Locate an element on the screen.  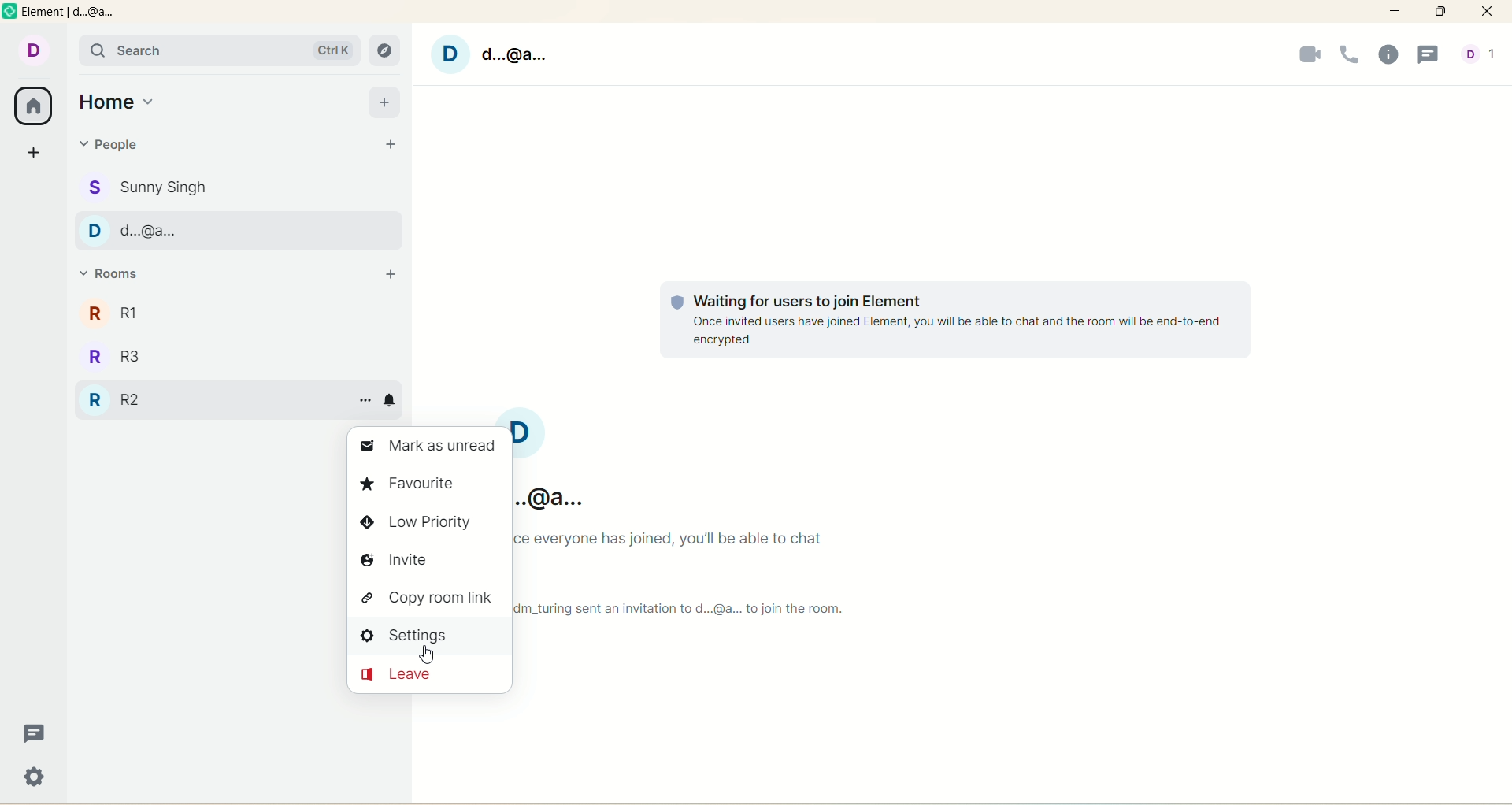
notifications is located at coordinates (392, 398).